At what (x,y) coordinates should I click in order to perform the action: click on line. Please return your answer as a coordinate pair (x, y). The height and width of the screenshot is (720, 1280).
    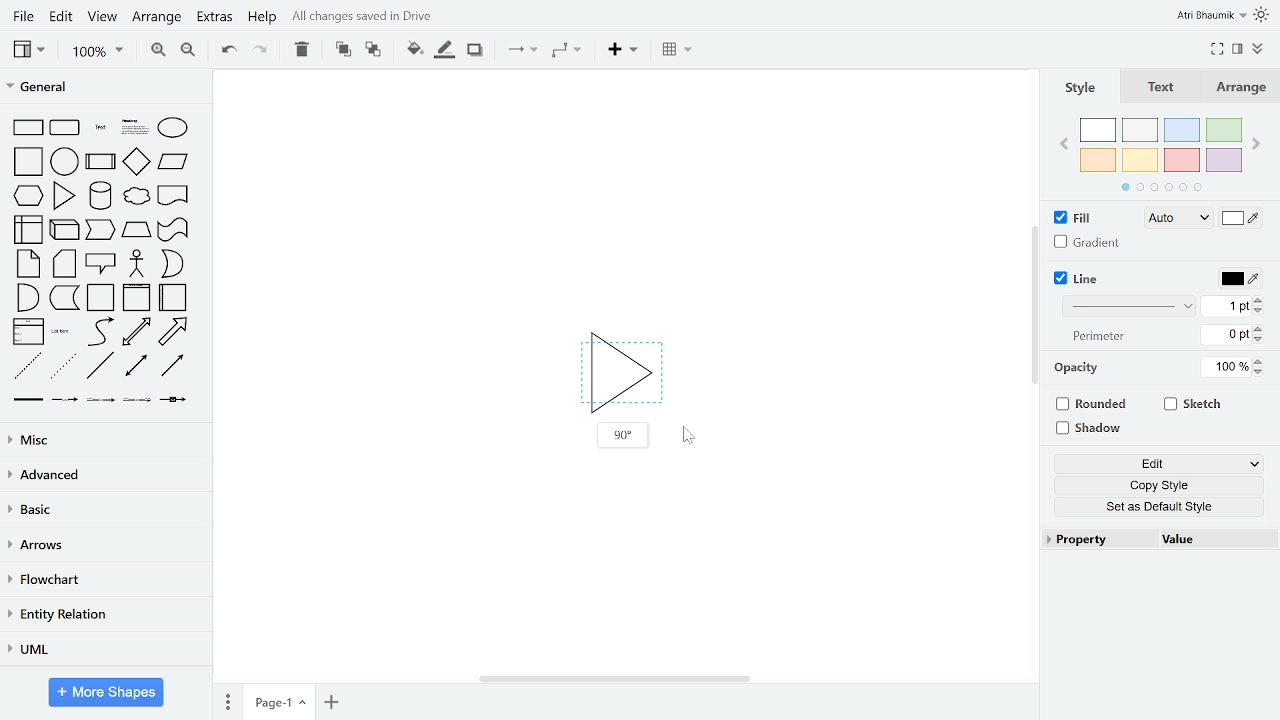
    Looking at the image, I should click on (100, 368).